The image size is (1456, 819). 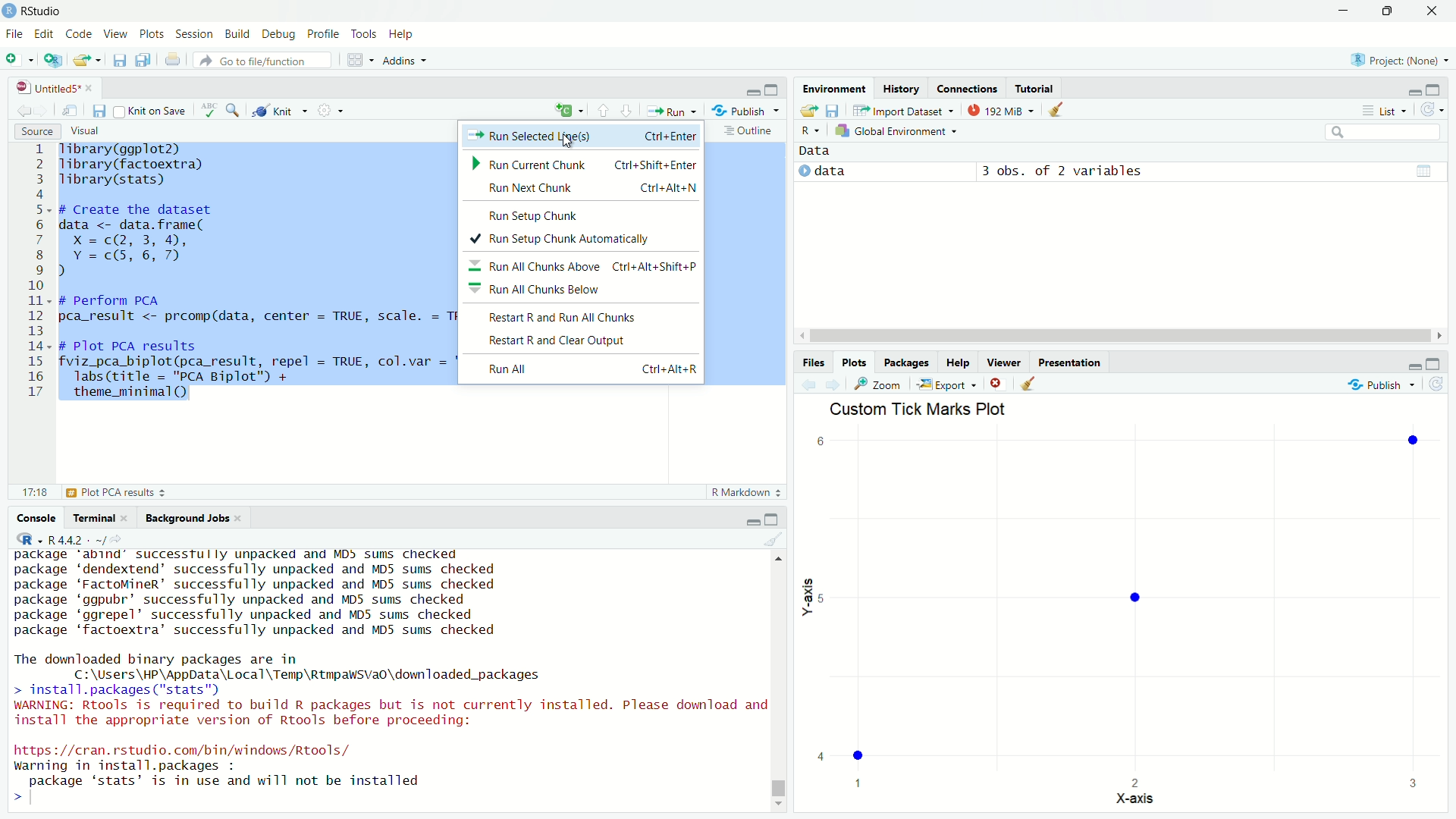 I want to click on profile, so click(x=325, y=35).